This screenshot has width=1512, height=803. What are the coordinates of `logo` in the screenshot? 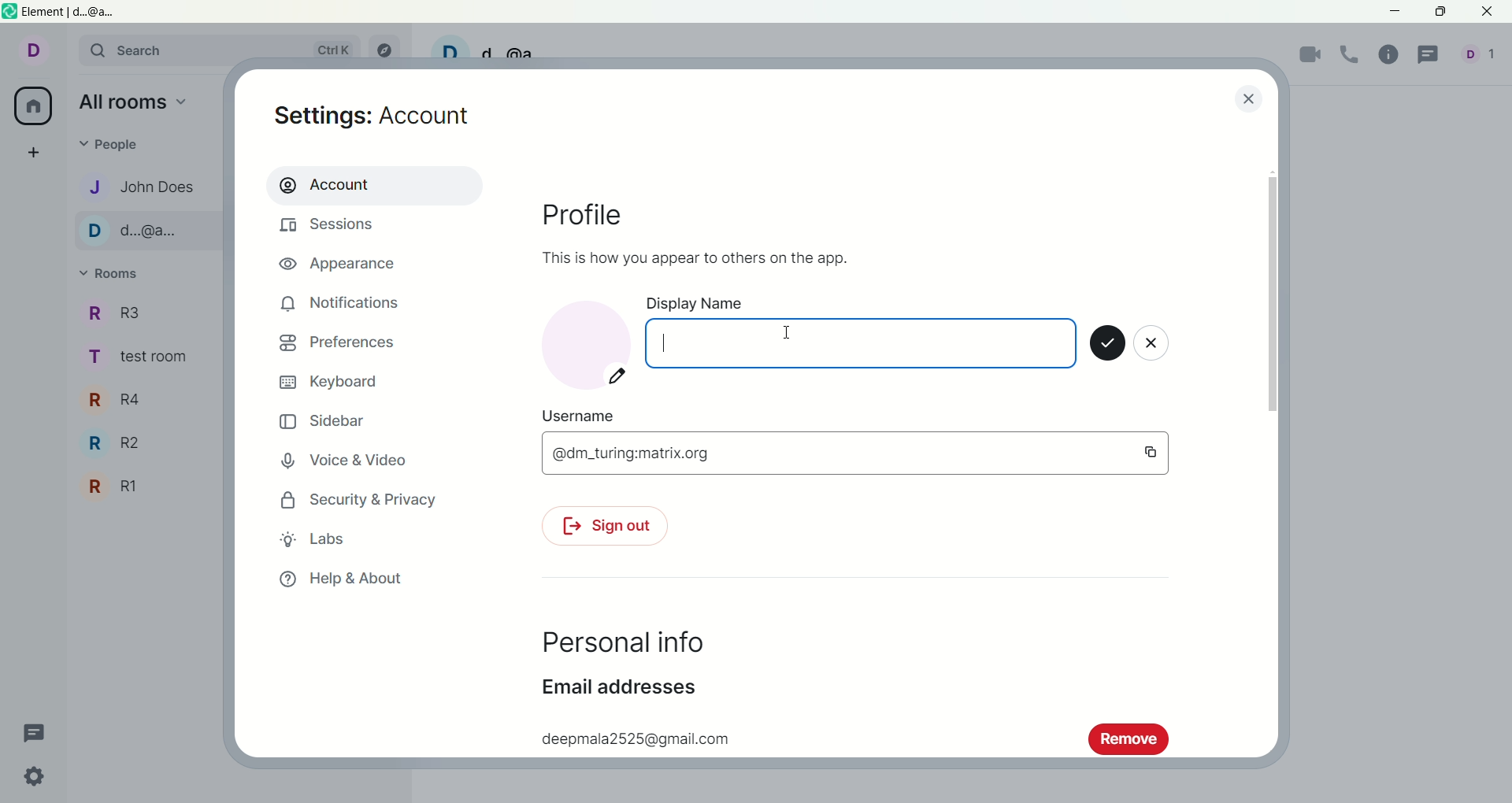 It's located at (10, 13).